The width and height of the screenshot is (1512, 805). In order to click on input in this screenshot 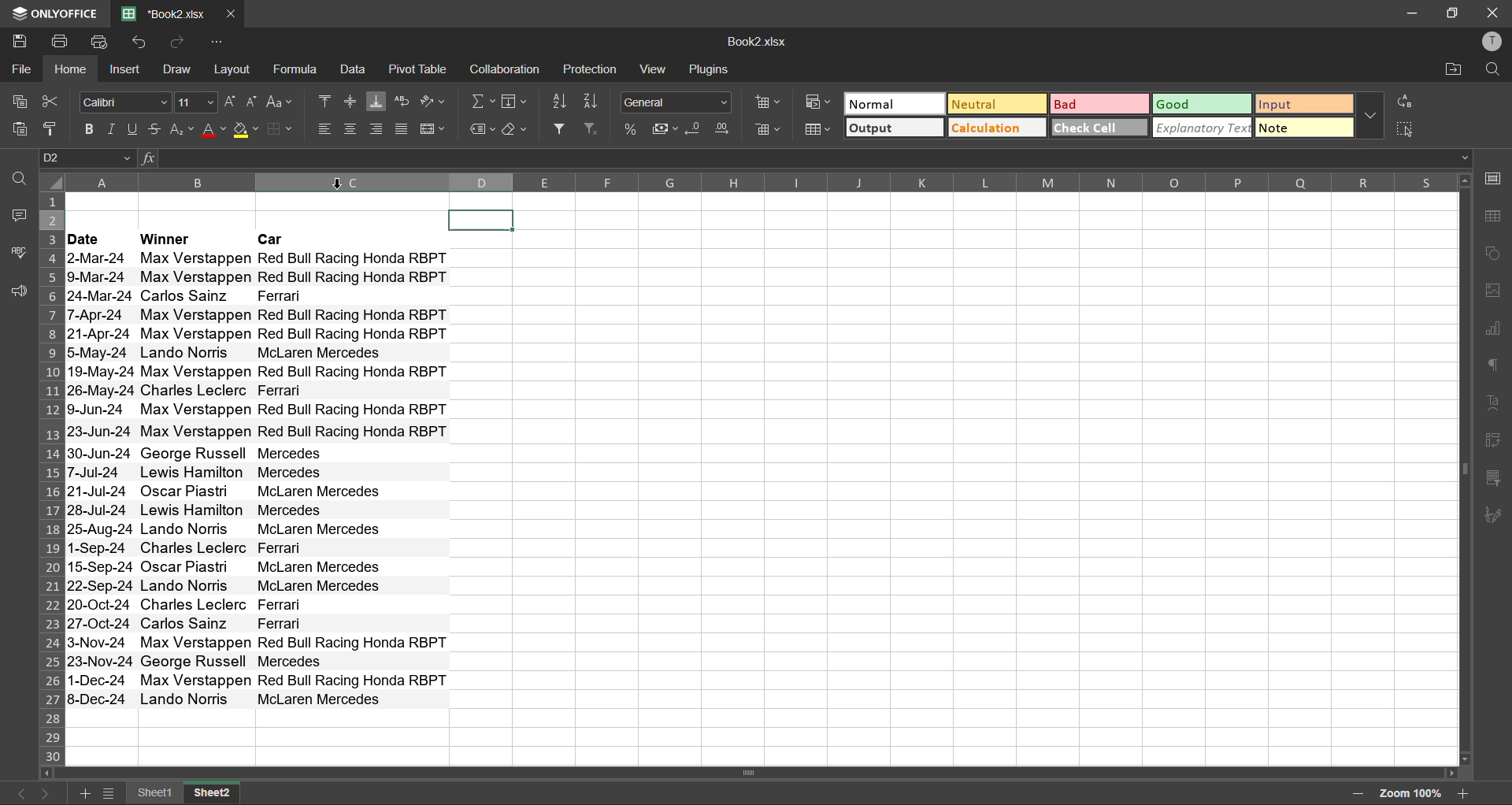, I will do `click(1301, 104)`.